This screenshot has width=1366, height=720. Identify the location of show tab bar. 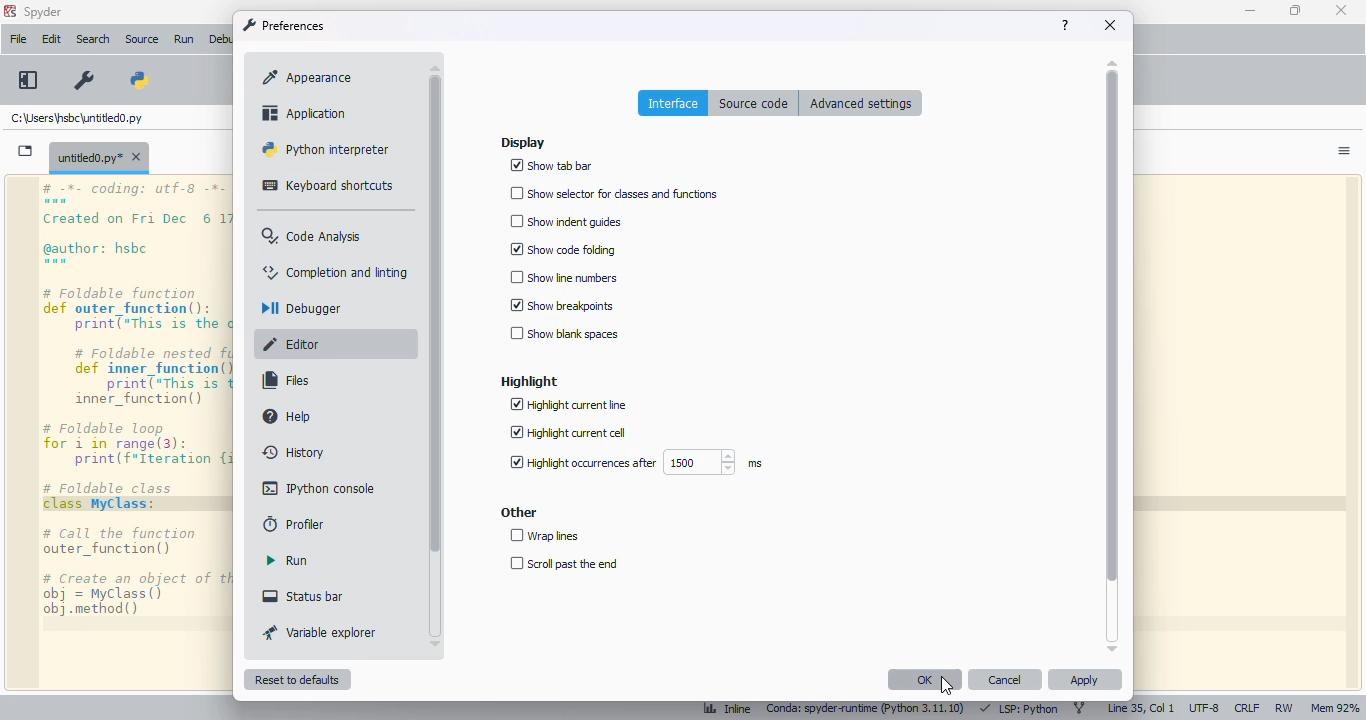
(552, 166).